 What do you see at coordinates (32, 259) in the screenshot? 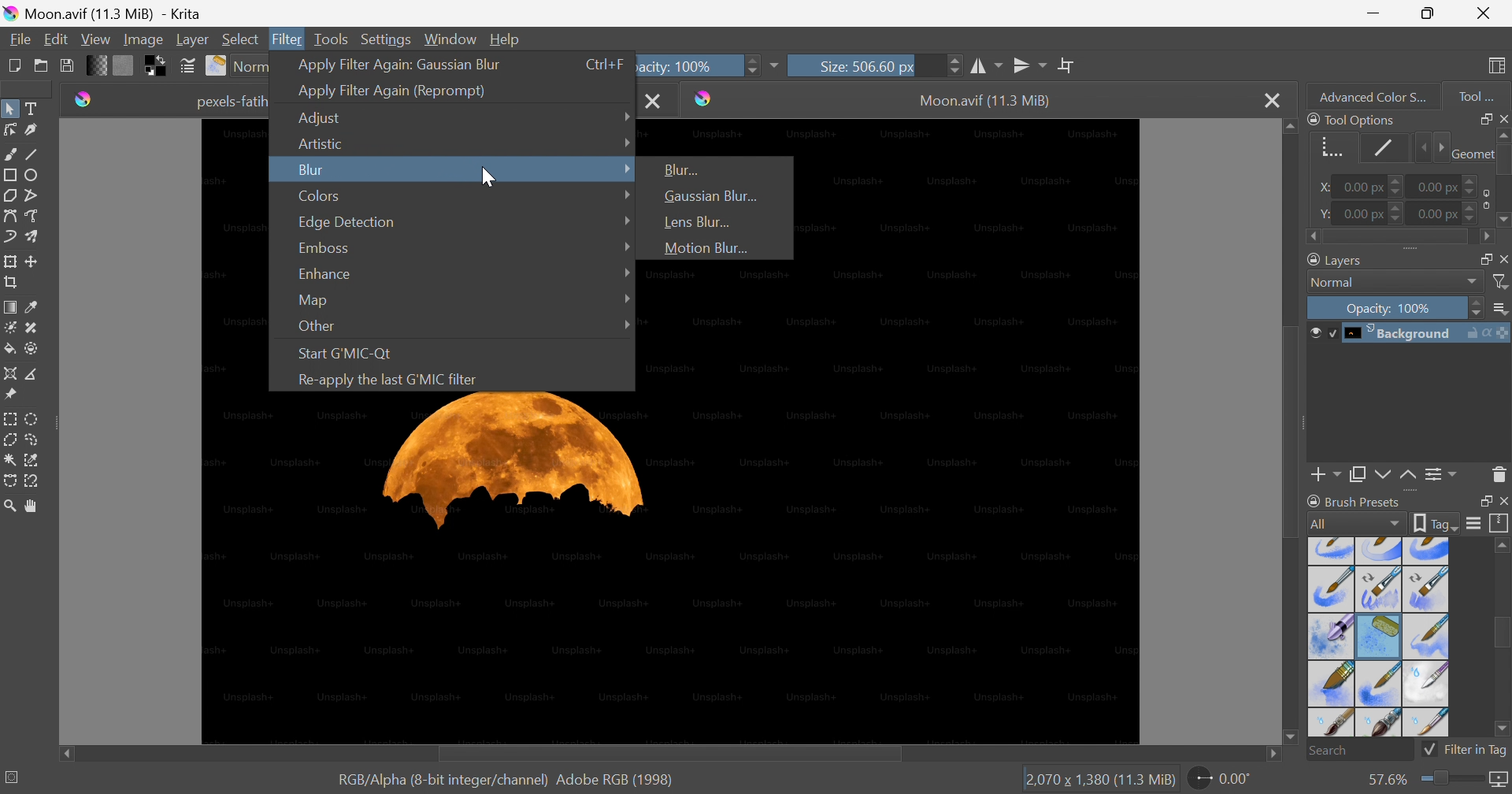
I see `Move a layer` at bounding box center [32, 259].